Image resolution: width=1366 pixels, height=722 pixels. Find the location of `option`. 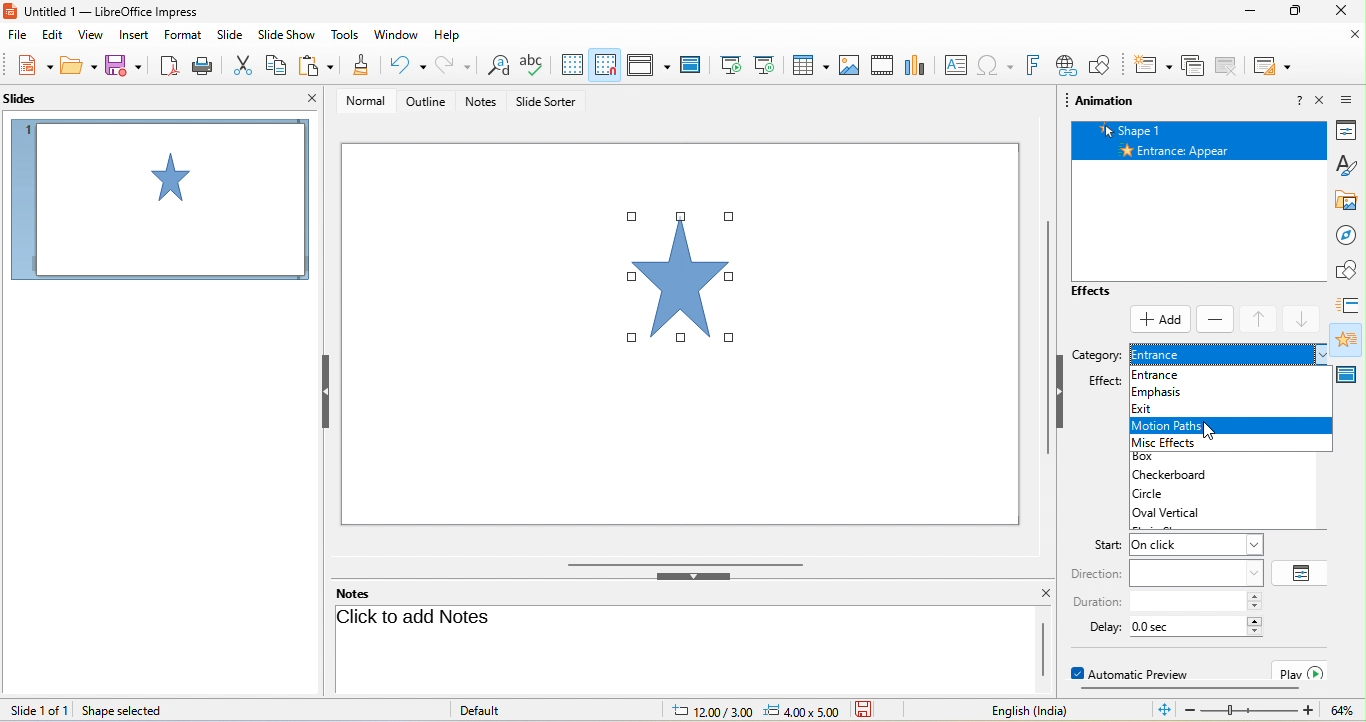

option is located at coordinates (1302, 572).